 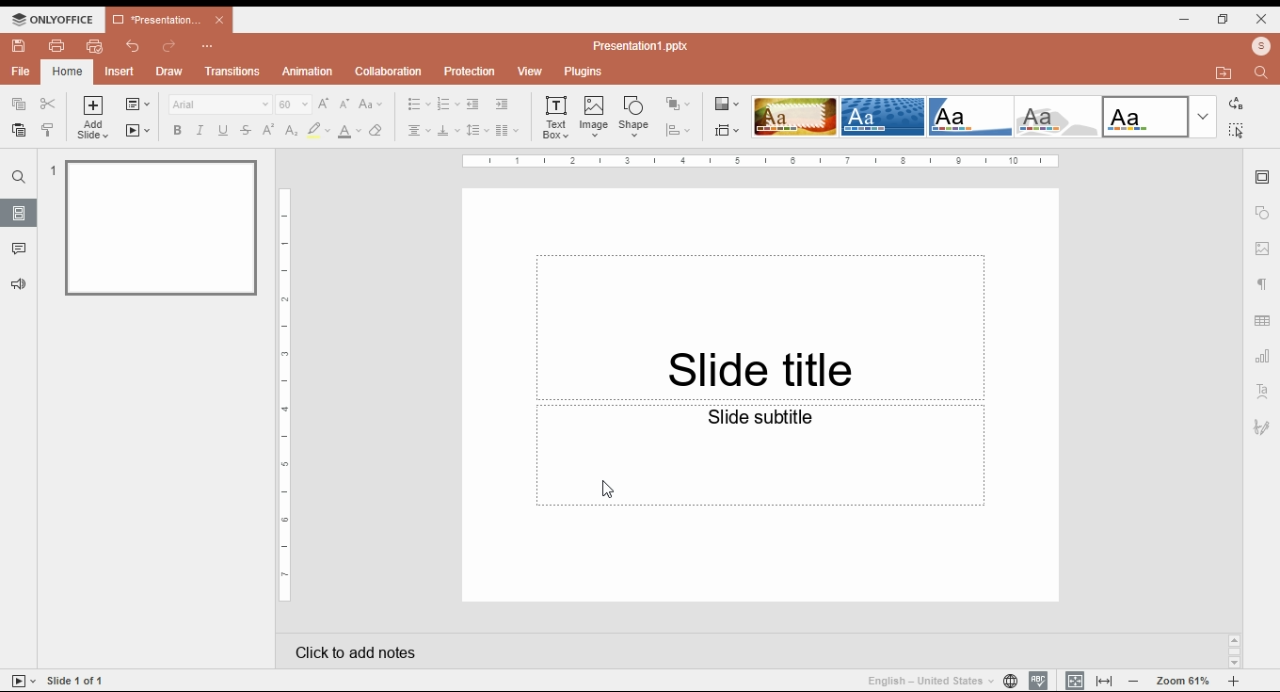 I want to click on find, so click(x=1235, y=130).